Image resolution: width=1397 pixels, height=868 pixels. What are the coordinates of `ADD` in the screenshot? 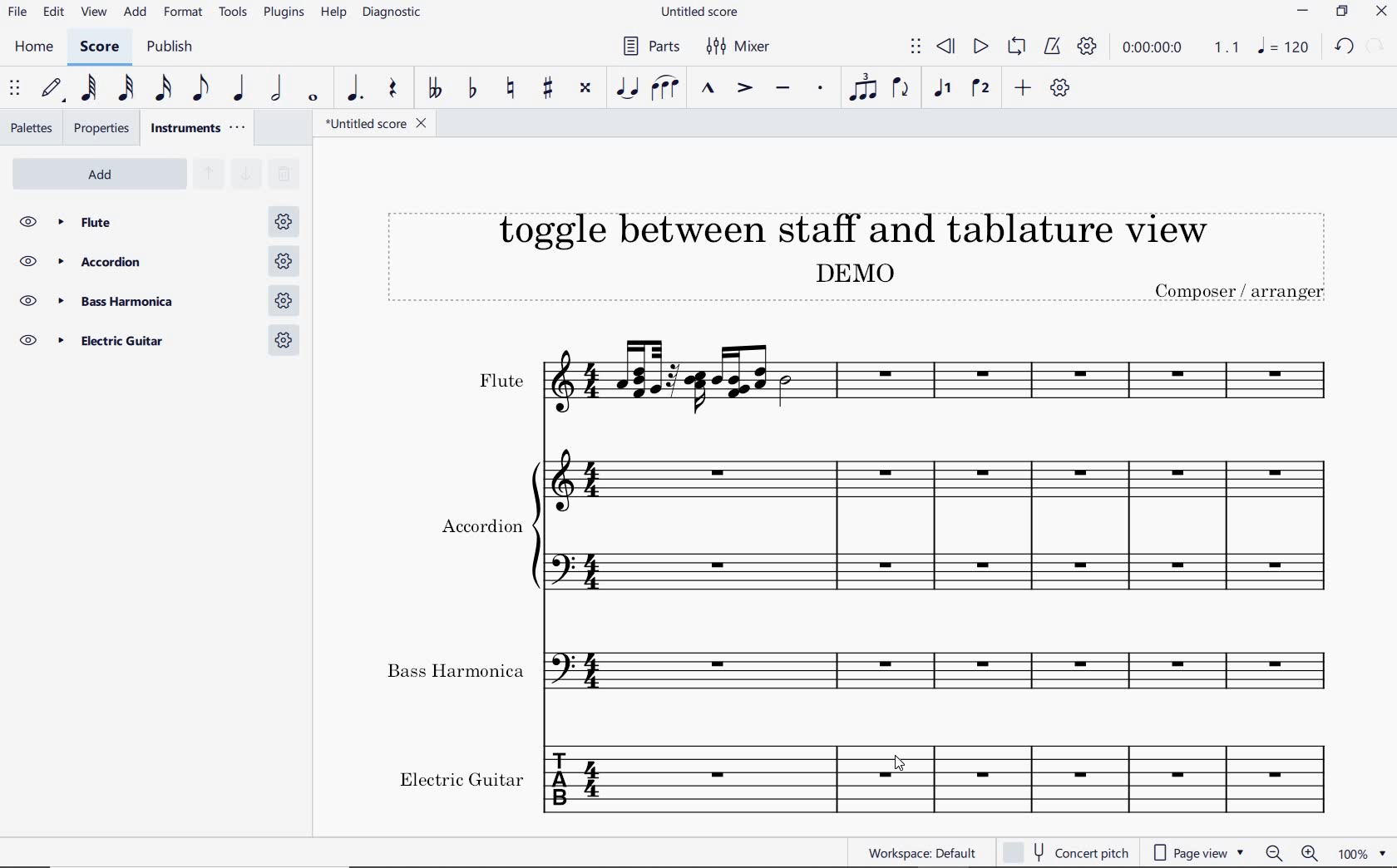 It's located at (106, 172).